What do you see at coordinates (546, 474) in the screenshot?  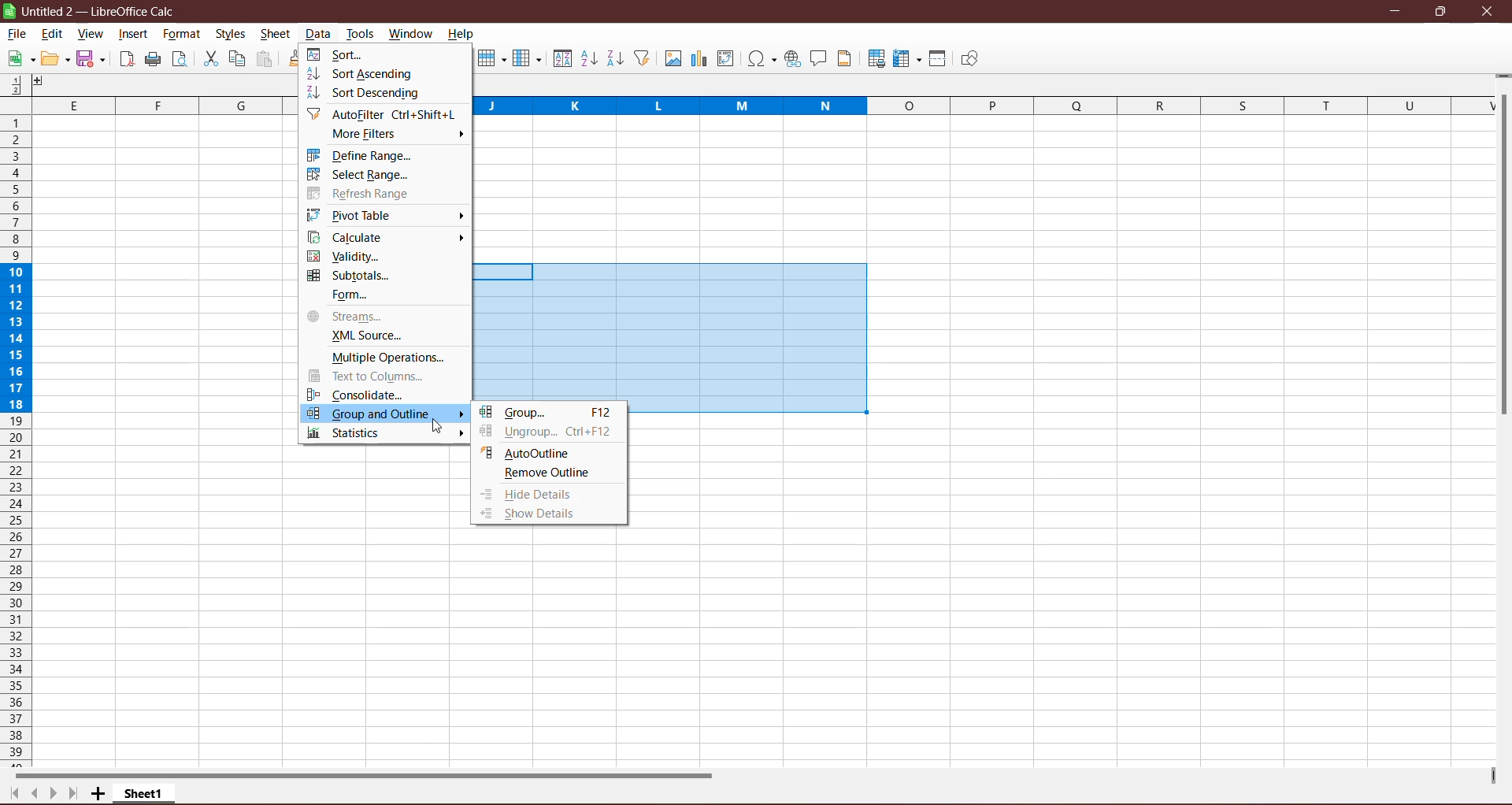 I see `Remove Outline` at bounding box center [546, 474].